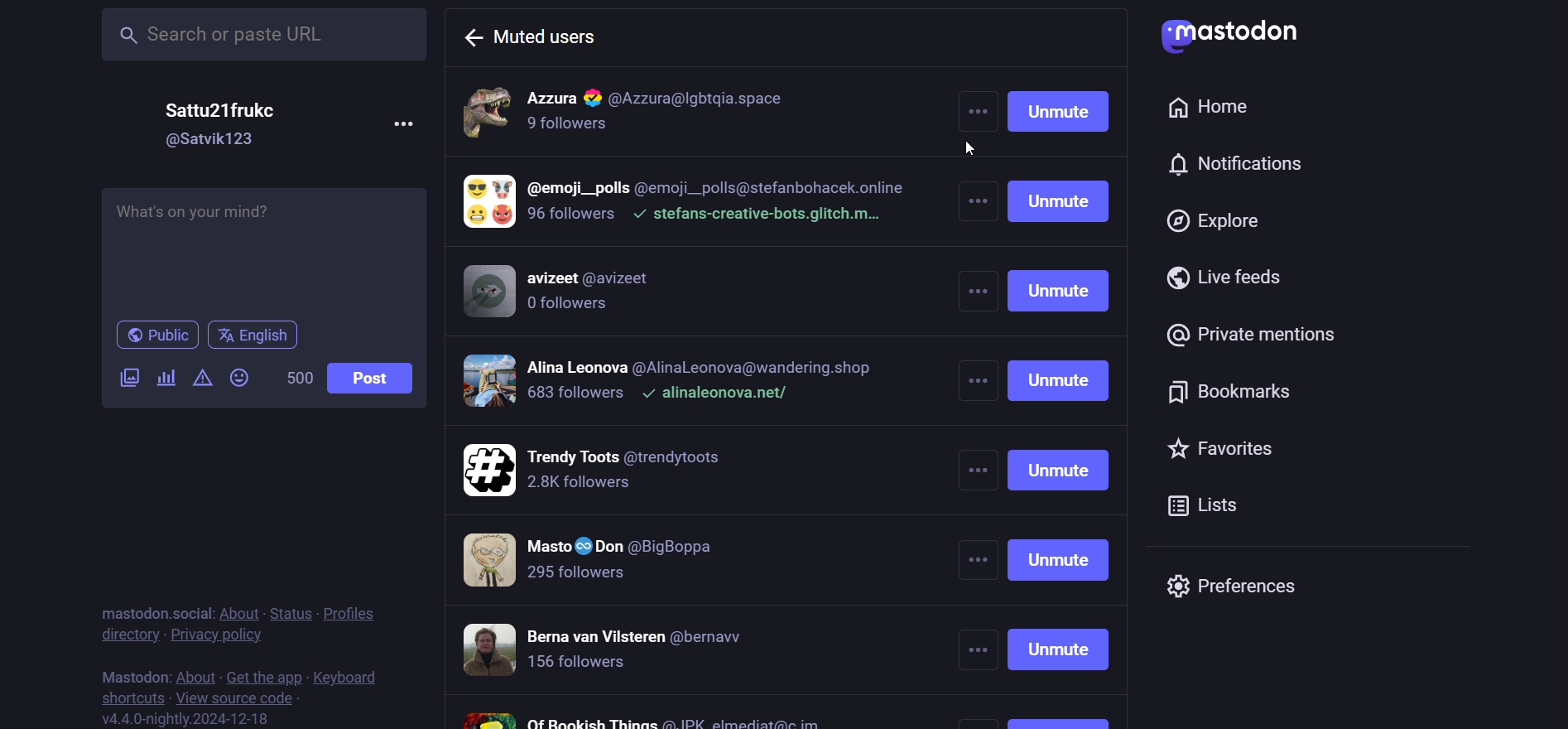  Describe the element at coordinates (258, 36) in the screenshot. I see `search` at that location.